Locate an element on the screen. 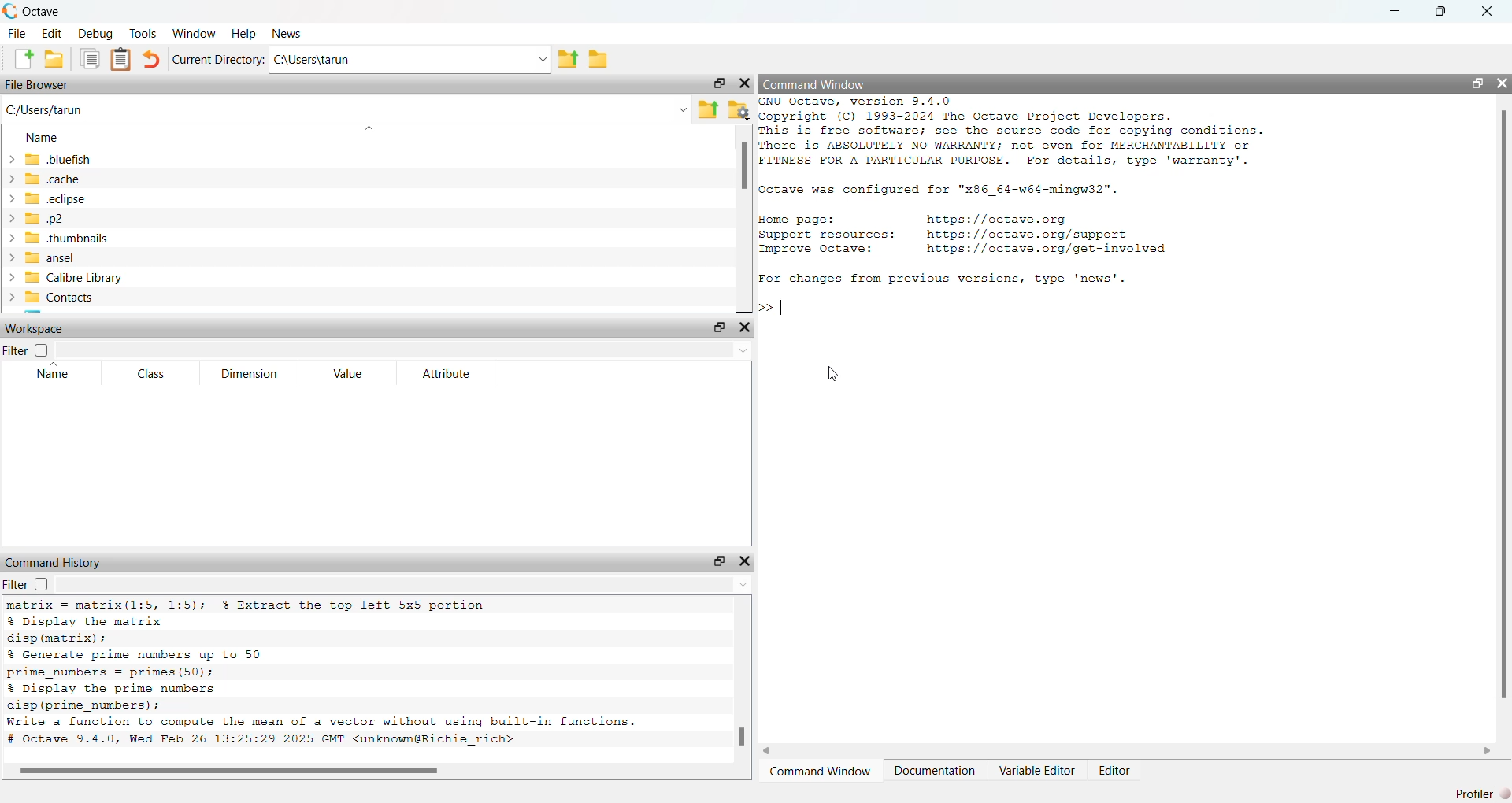 This screenshot has height=803, width=1512. Variable Editor is located at coordinates (1039, 770).